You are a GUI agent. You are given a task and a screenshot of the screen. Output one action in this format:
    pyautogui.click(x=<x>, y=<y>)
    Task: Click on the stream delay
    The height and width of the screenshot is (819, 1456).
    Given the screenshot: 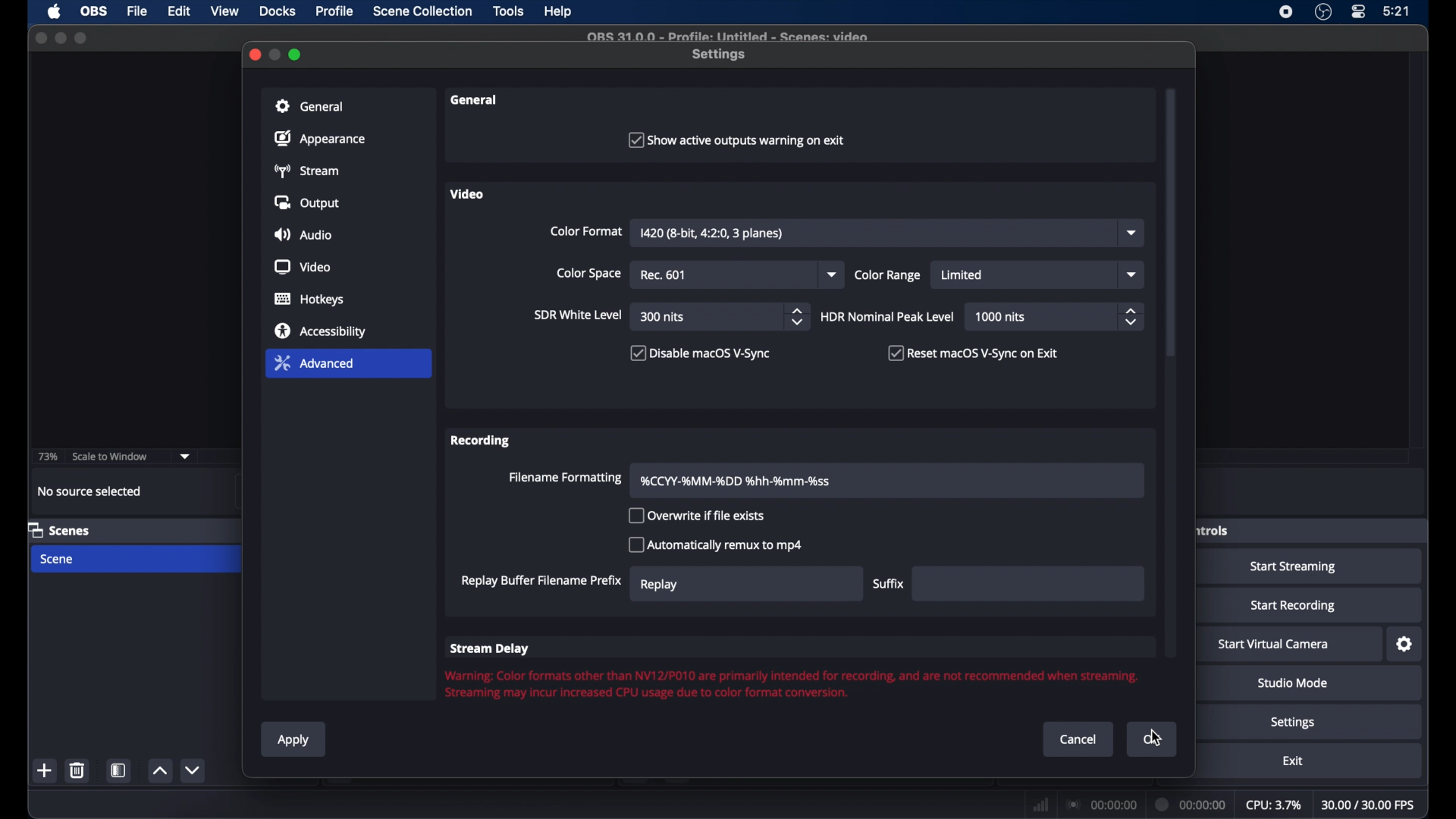 What is the action you would take?
    pyautogui.click(x=490, y=649)
    